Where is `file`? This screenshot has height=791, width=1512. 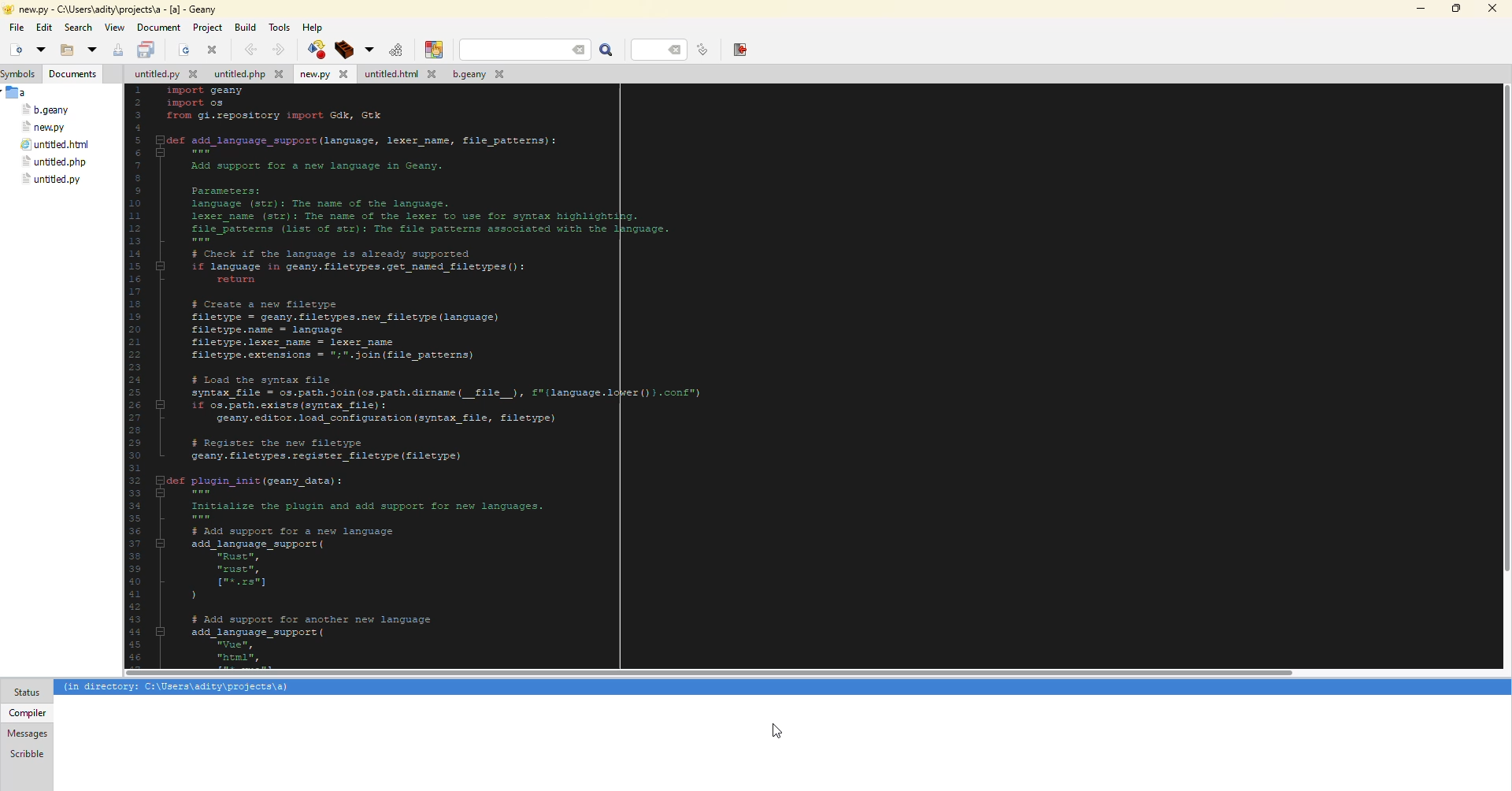 file is located at coordinates (250, 74).